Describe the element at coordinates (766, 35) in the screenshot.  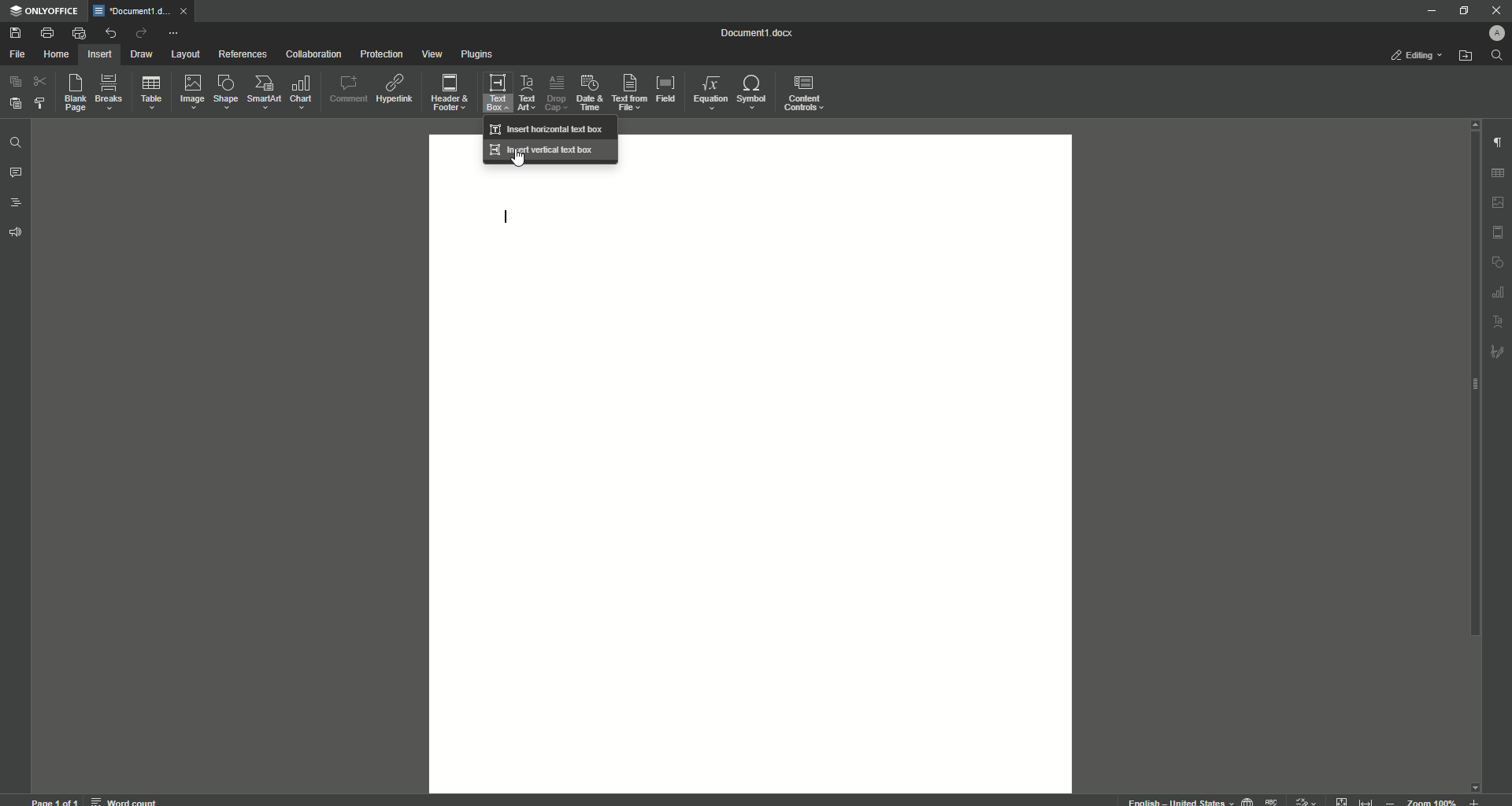
I see `Document 1` at that location.